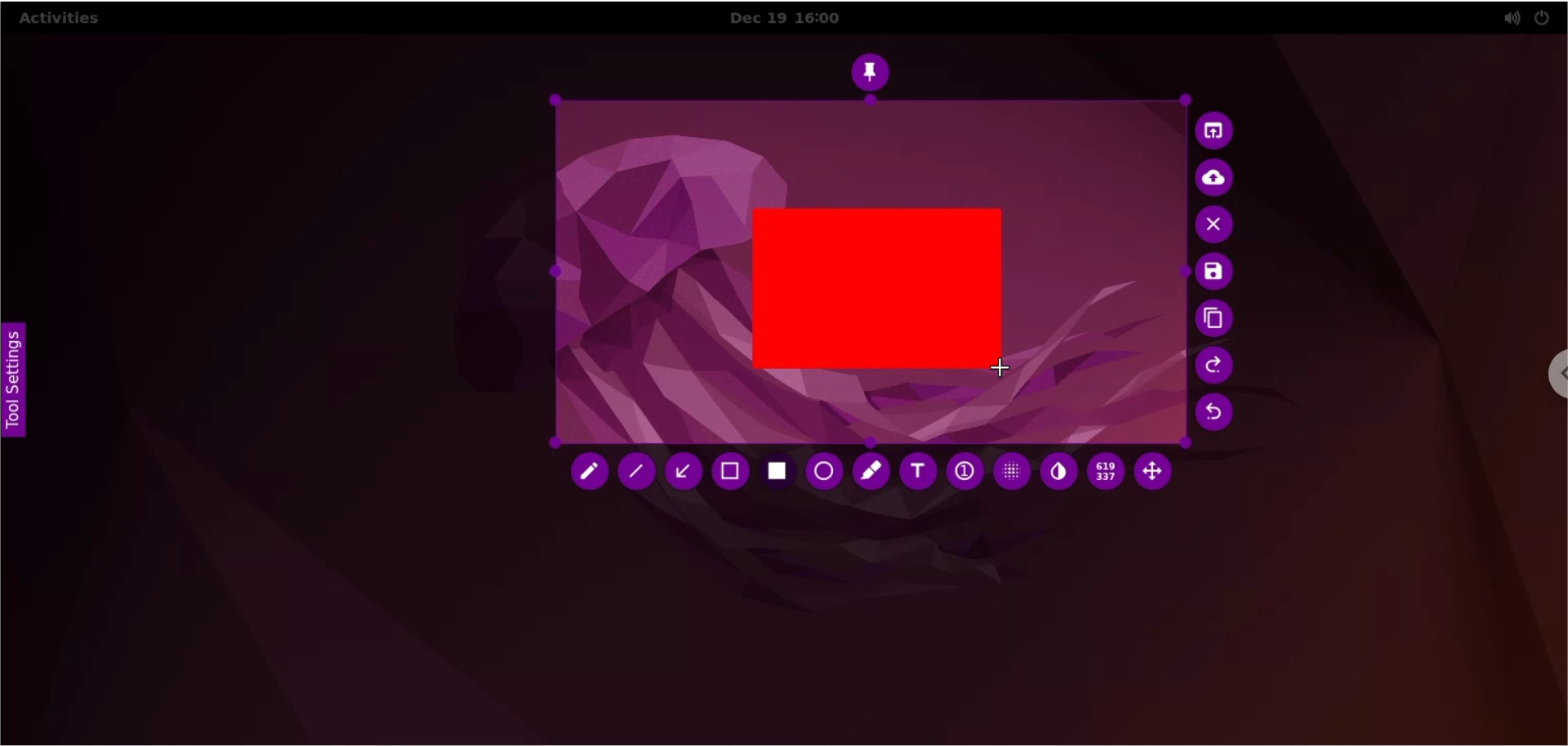 The width and height of the screenshot is (1568, 746). What do you see at coordinates (822, 471) in the screenshot?
I see `ellipse` at bounding box center [822, 471].